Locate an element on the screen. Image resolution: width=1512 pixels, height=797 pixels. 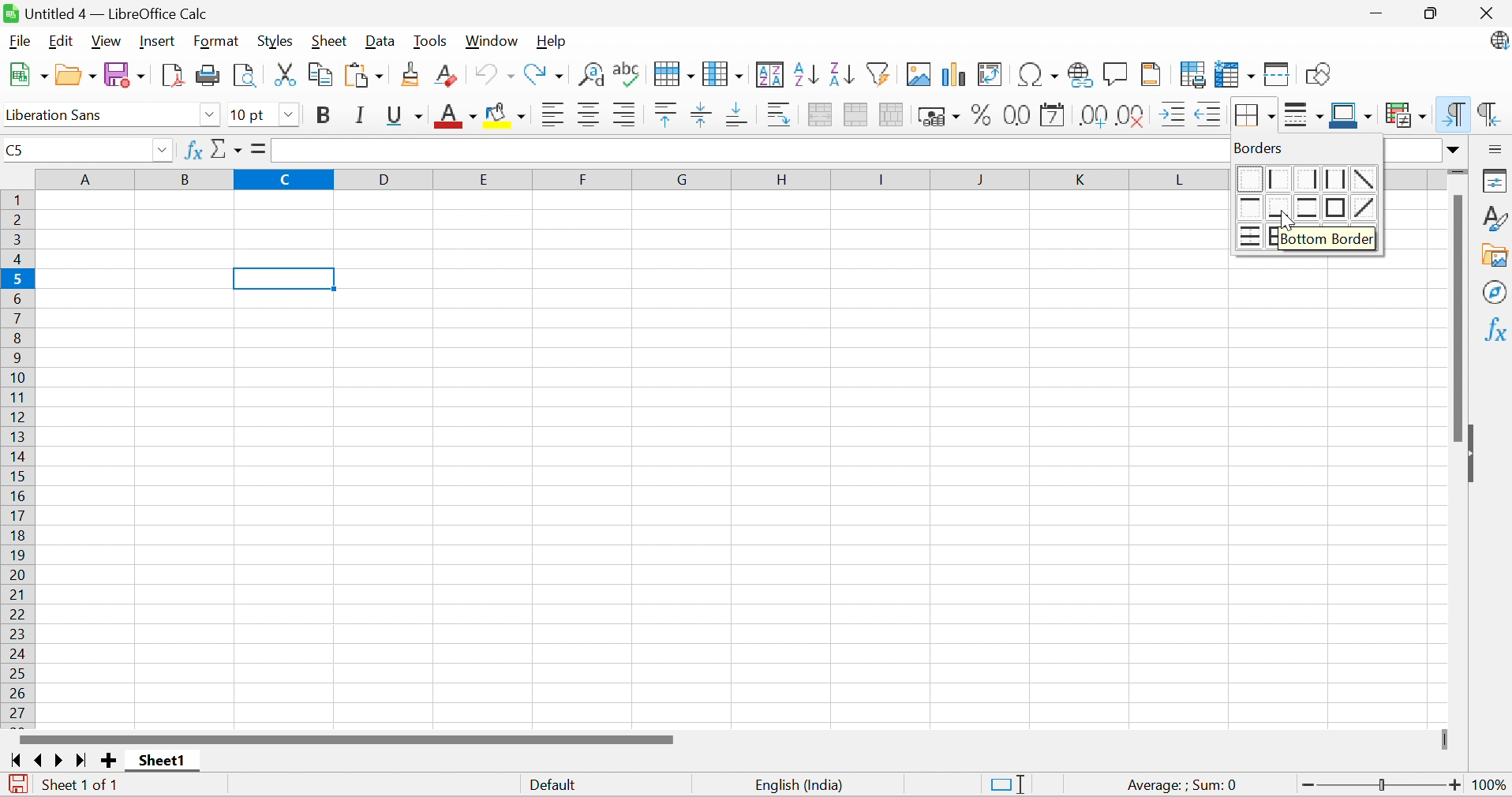
Top and bottom borders. And all horizontal lines. is located at coordinates (1250, 236).